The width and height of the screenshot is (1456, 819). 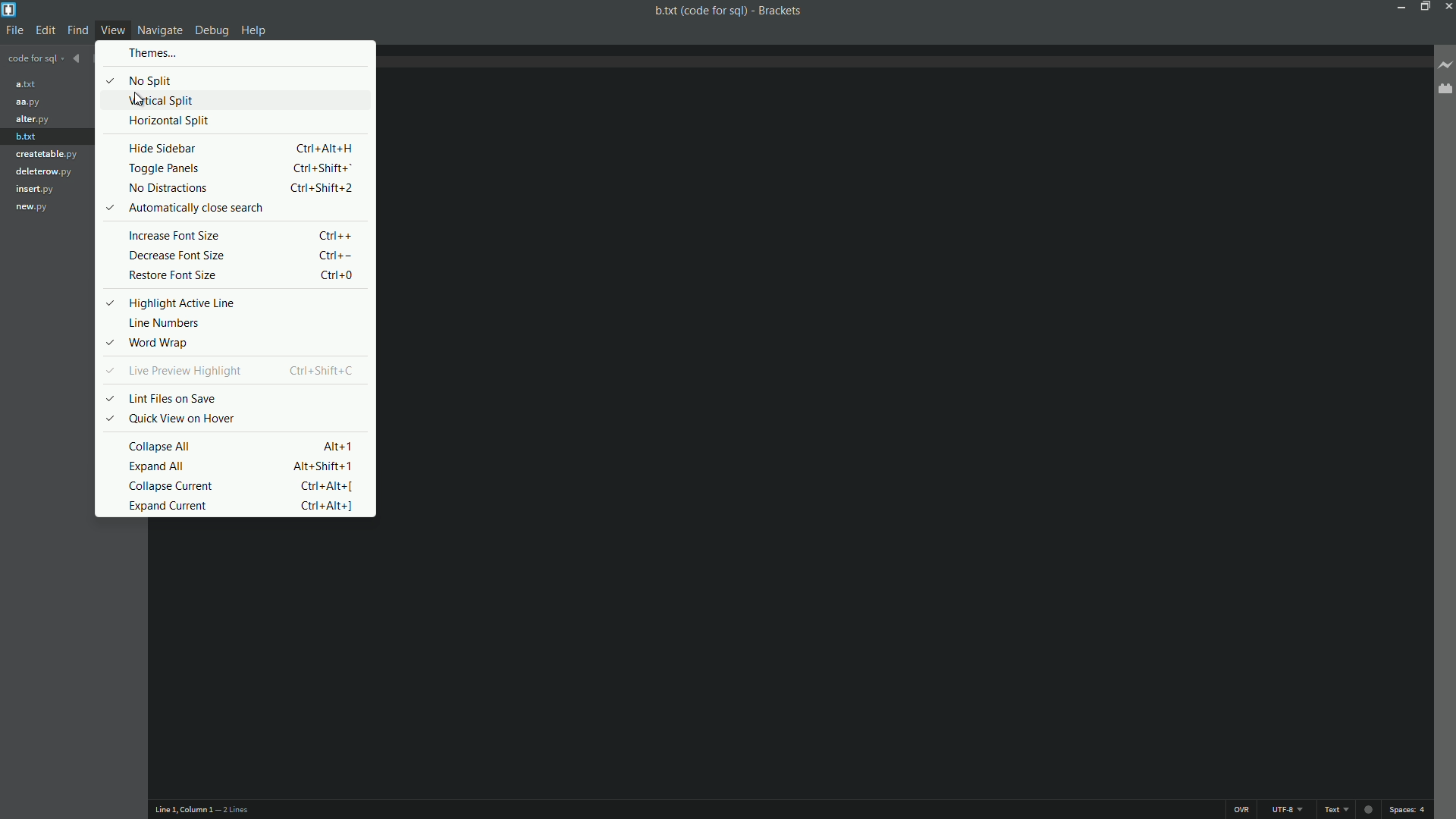 I want to click on App icon, so click(x=9, y=8).